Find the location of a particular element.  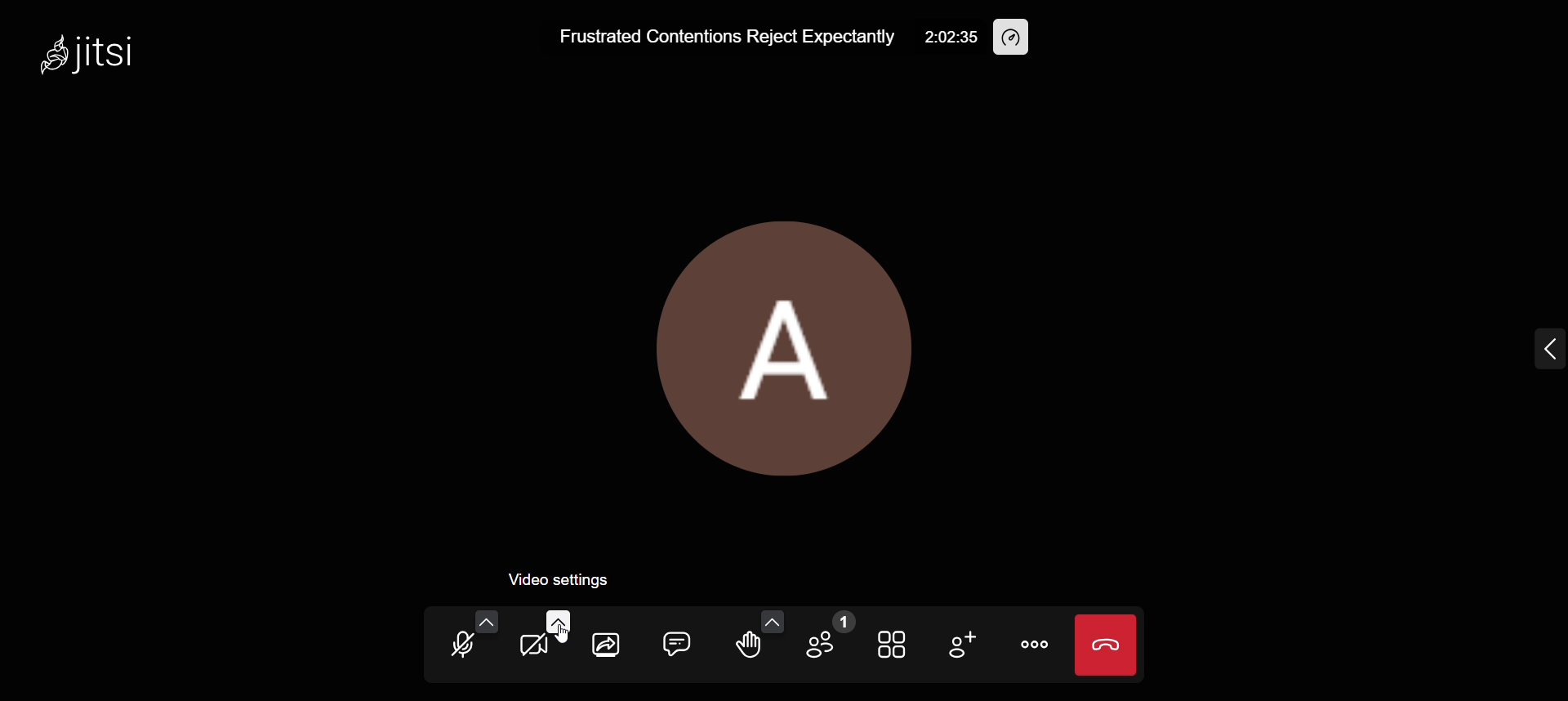

raise hand is located at coordinates (748, 649).